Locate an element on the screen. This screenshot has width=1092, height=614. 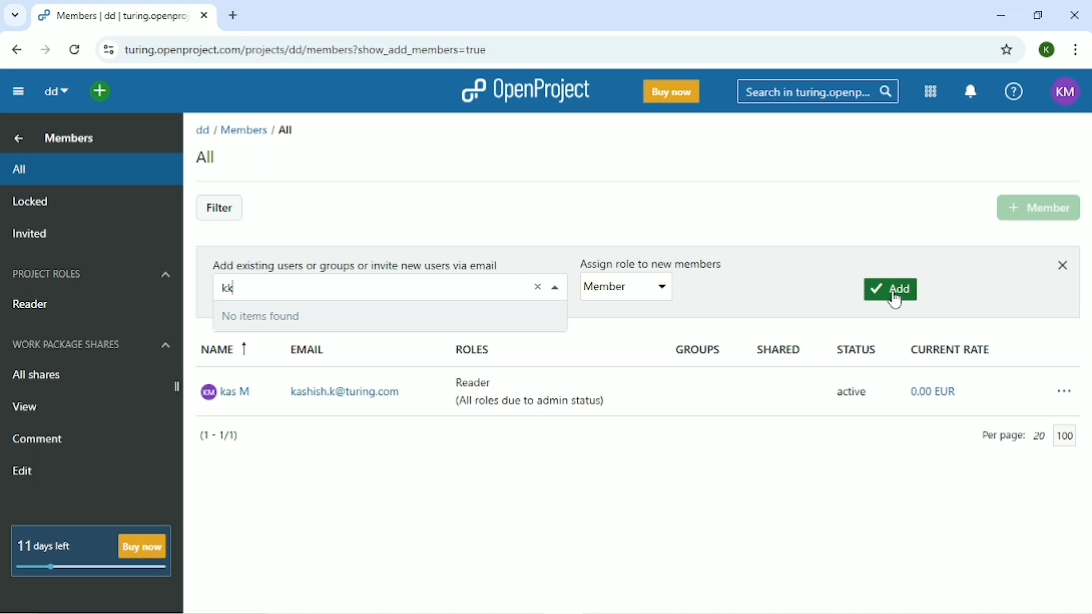
Reload this page is located at coordinates (74, 48).